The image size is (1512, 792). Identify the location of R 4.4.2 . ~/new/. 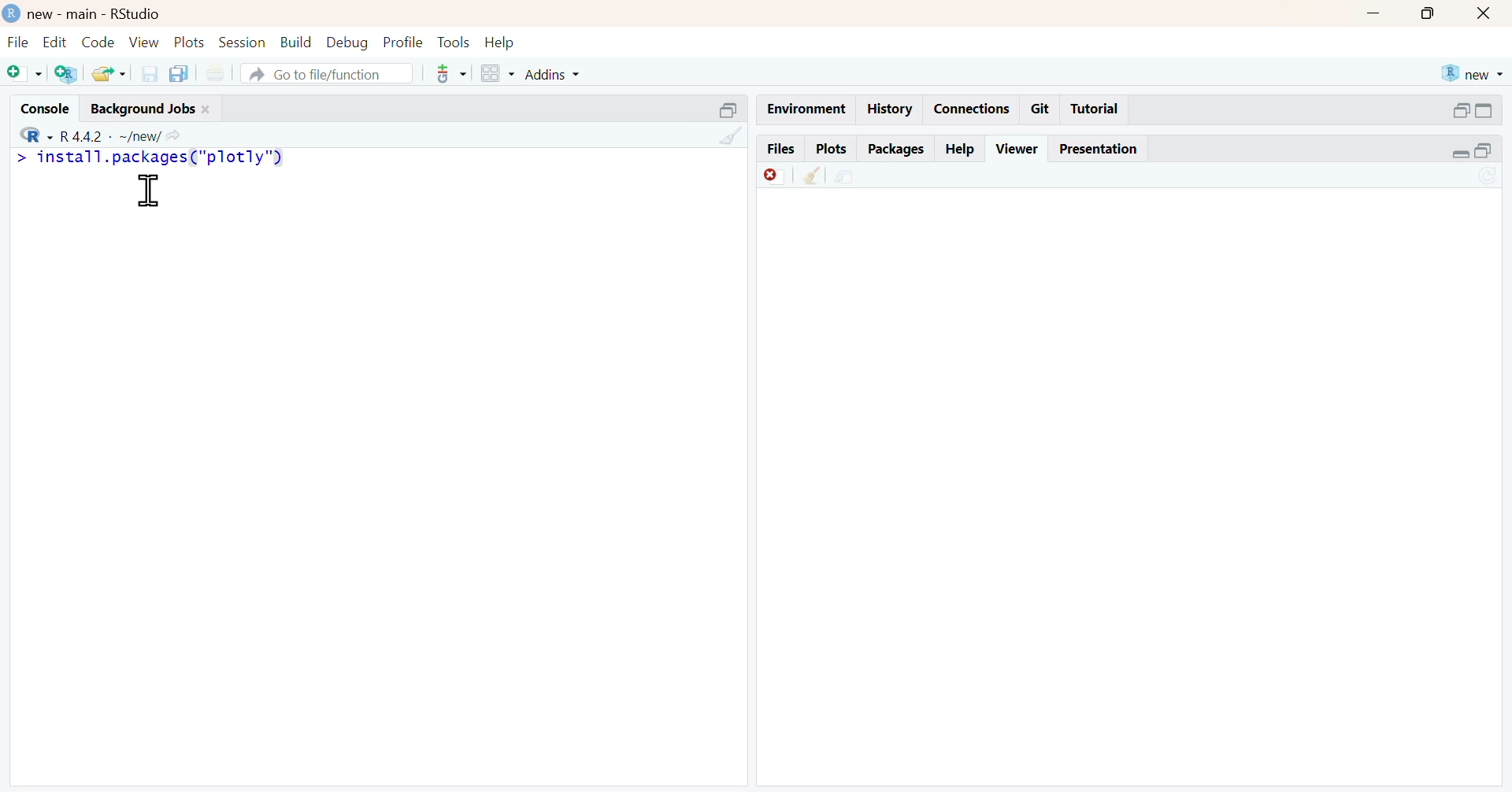
(111, 134).